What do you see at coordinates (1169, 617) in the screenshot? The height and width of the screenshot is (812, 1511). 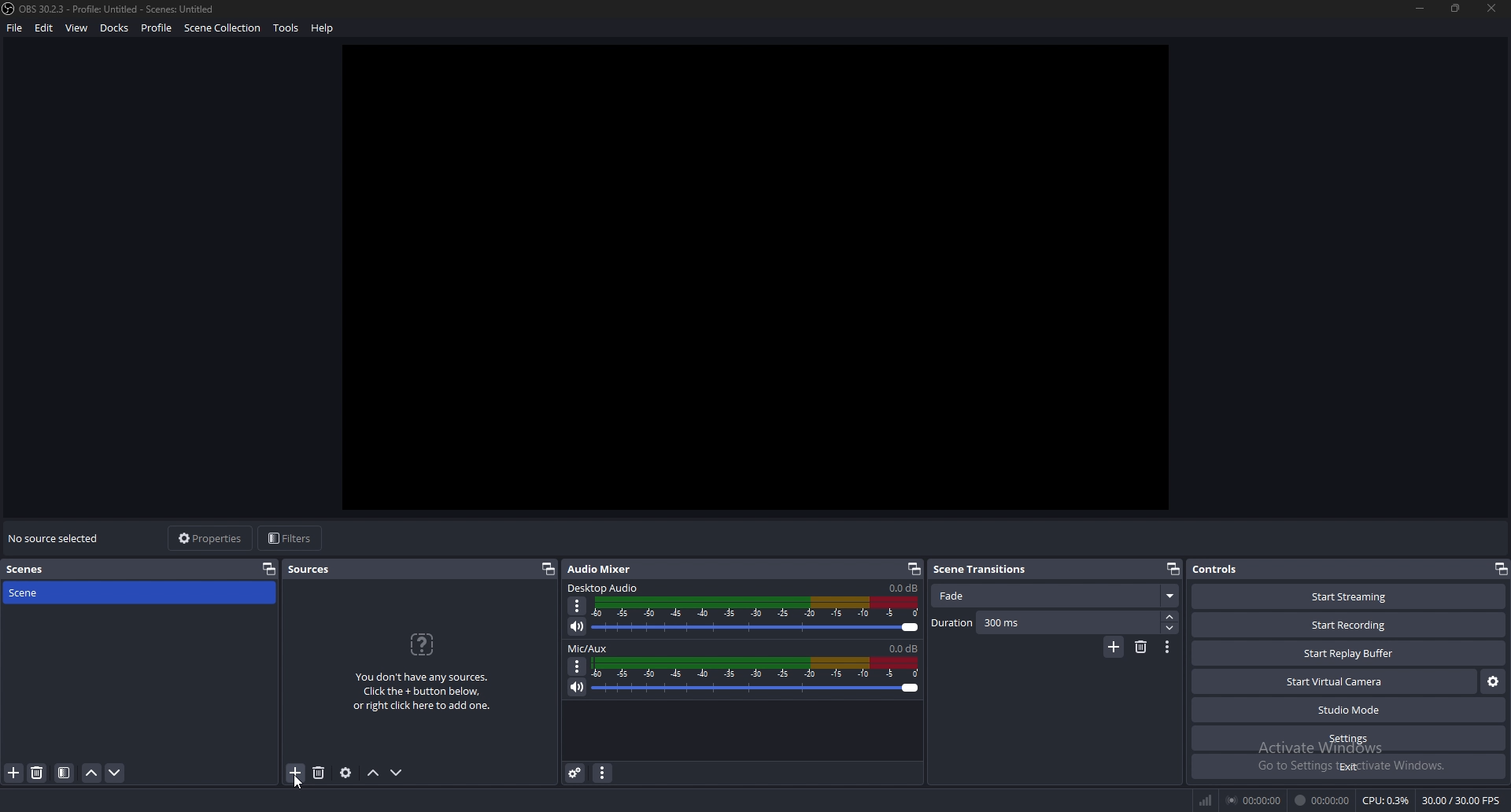 I see `increase duration` at bounding box center [1169, 617].